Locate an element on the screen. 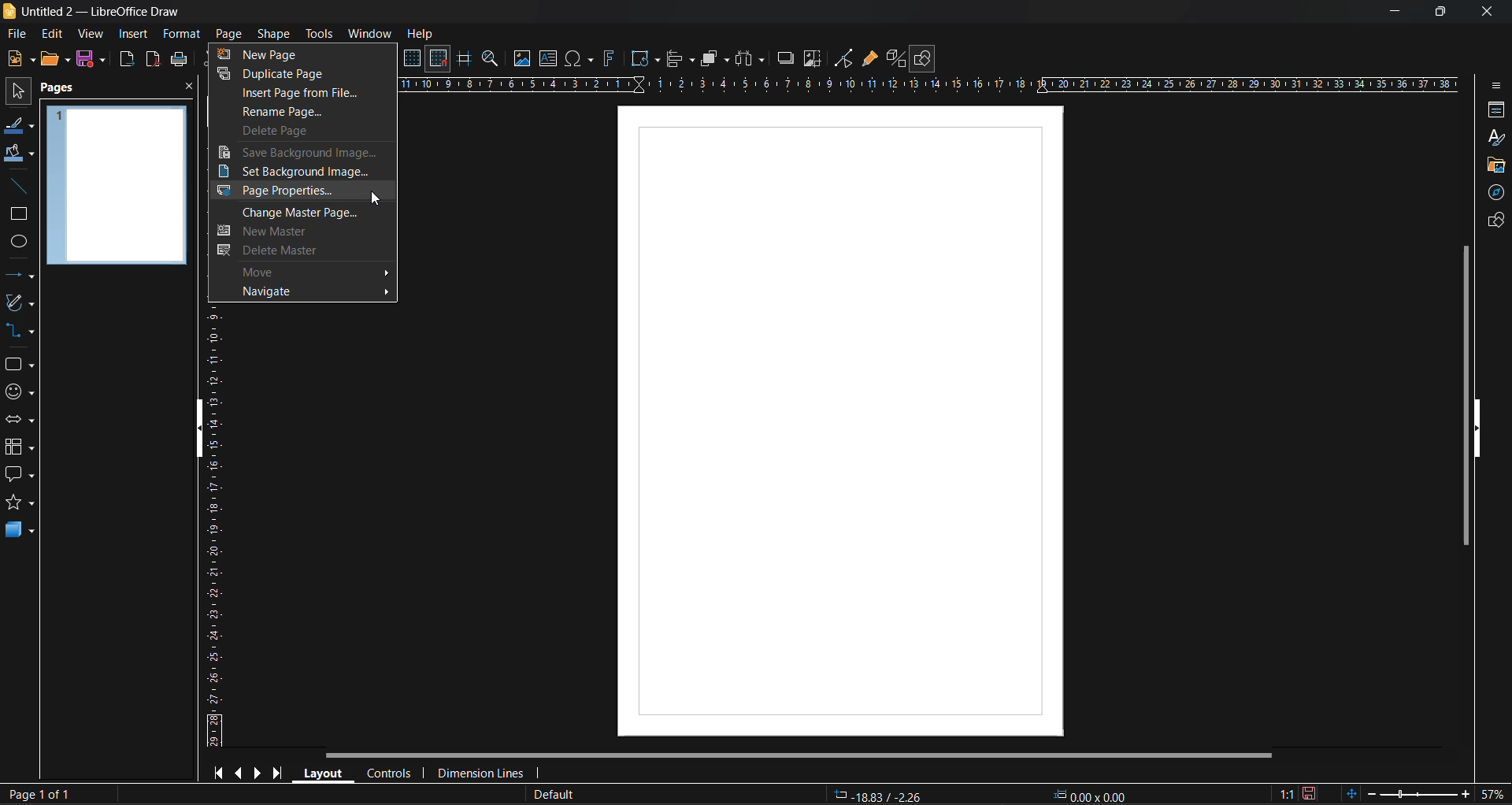  distribute is located at coordinates (749, 59).